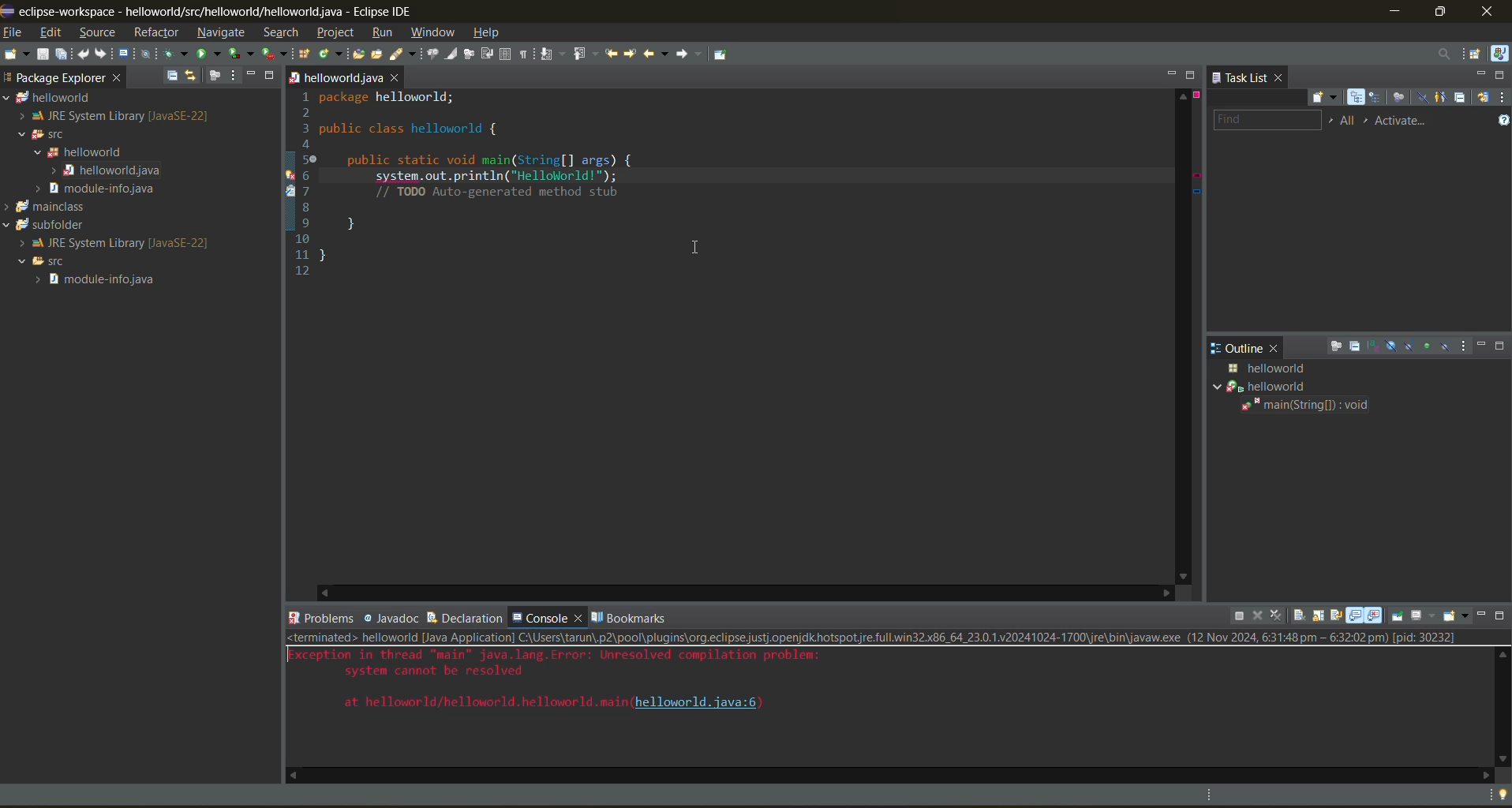 The height and width of the screenshot is (808, 1512). Describe the element at coordinates (1357, 344) in the screenshot. I see `collapse all` at that location.